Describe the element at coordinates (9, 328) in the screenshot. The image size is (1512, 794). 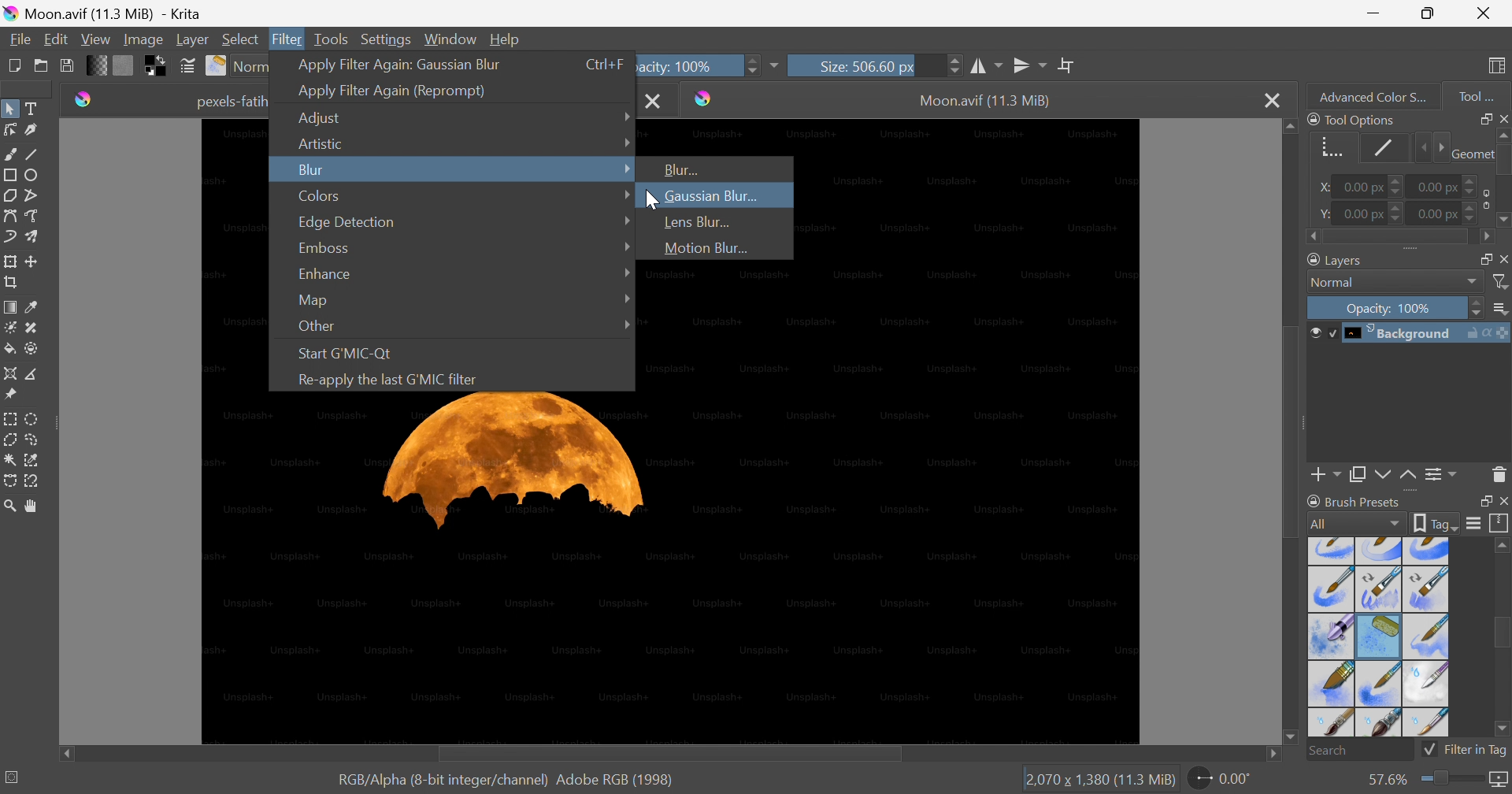
I see `Colorize mask tool` at that location.